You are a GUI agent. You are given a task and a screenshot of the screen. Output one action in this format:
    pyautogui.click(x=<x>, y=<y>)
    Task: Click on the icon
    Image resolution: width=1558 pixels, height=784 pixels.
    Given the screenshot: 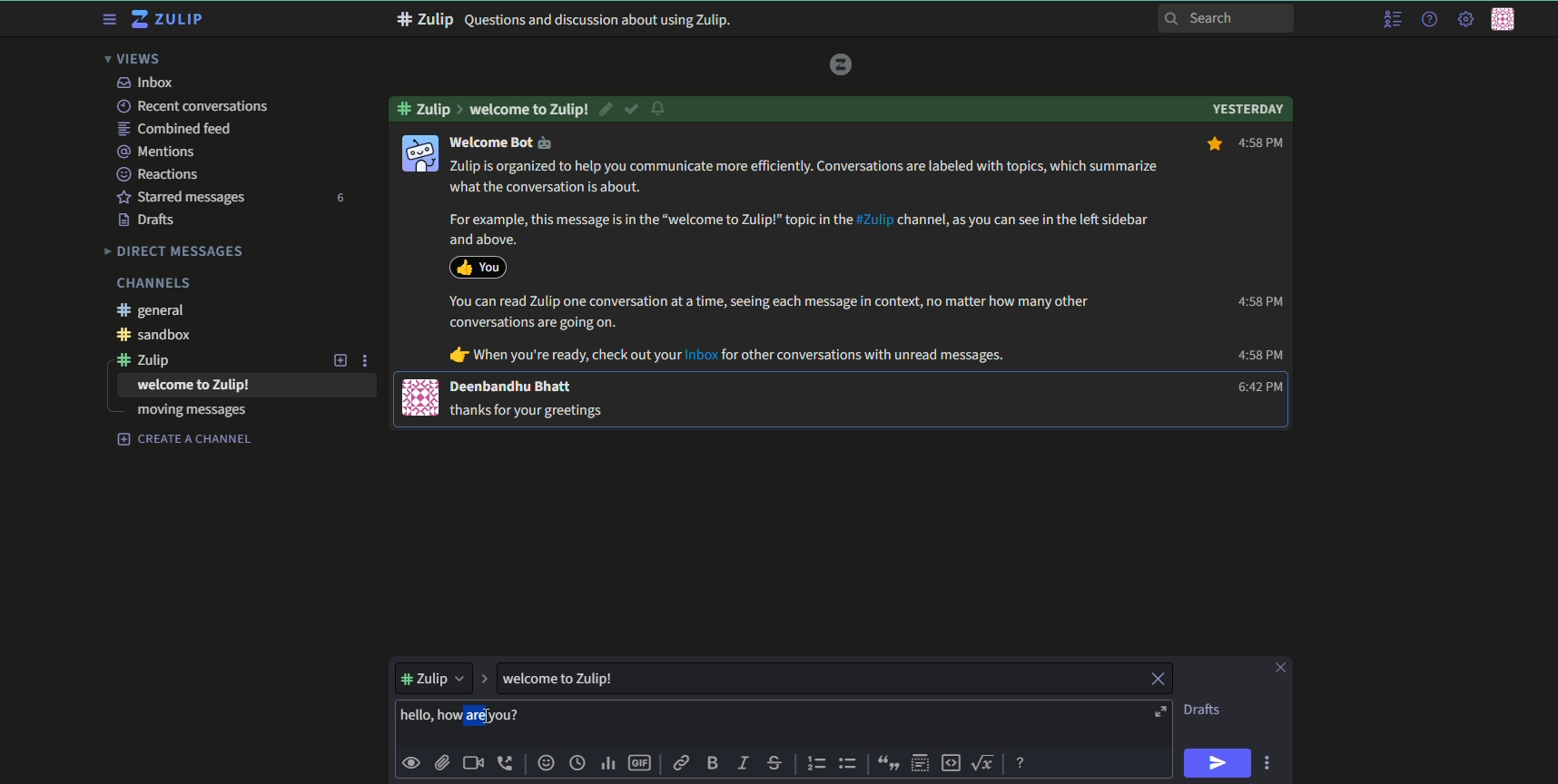 What is the action you would take?
    pyautogui.click(x=421, y=397)
    